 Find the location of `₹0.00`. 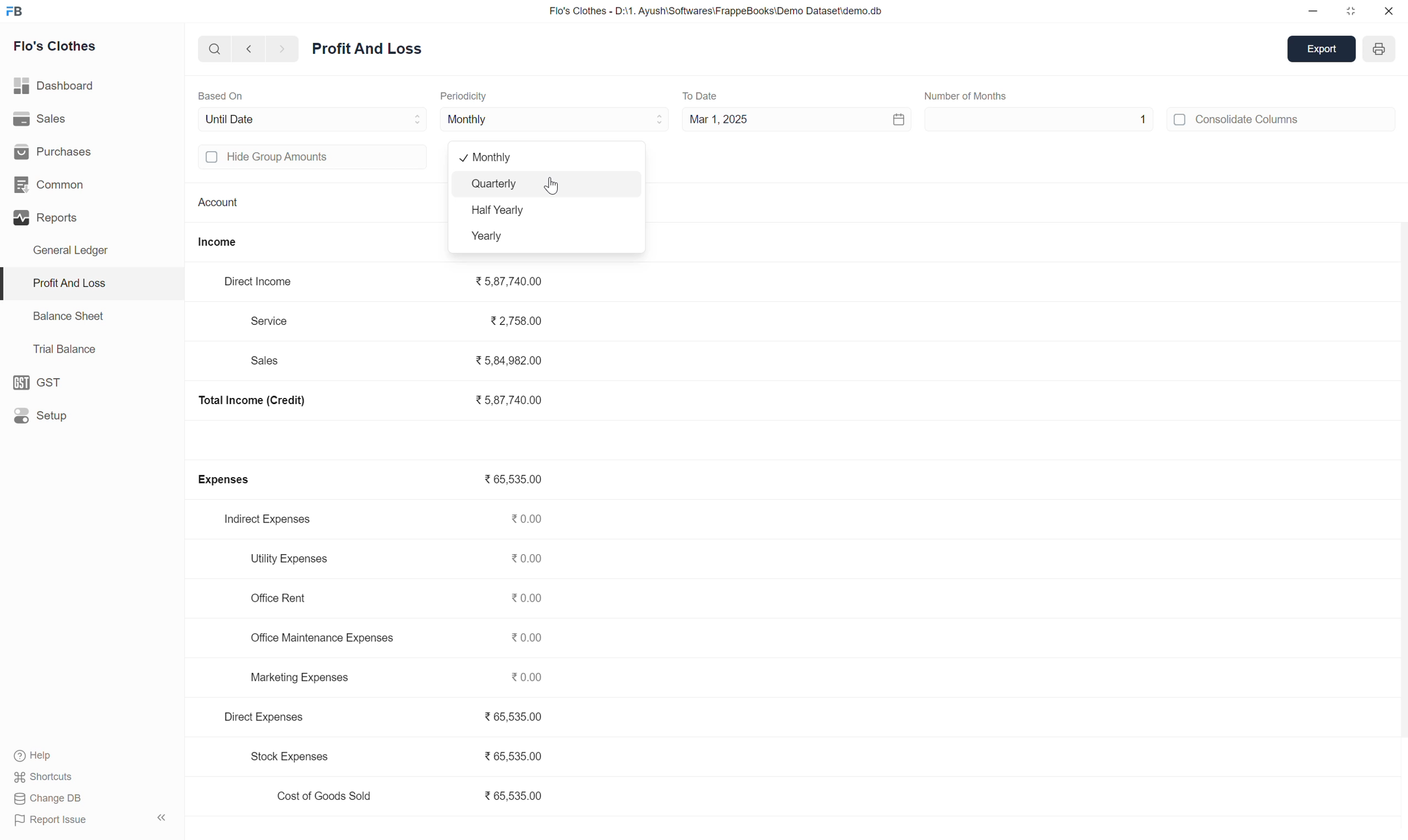

₹0.00 is located at coordinates (530, 599).